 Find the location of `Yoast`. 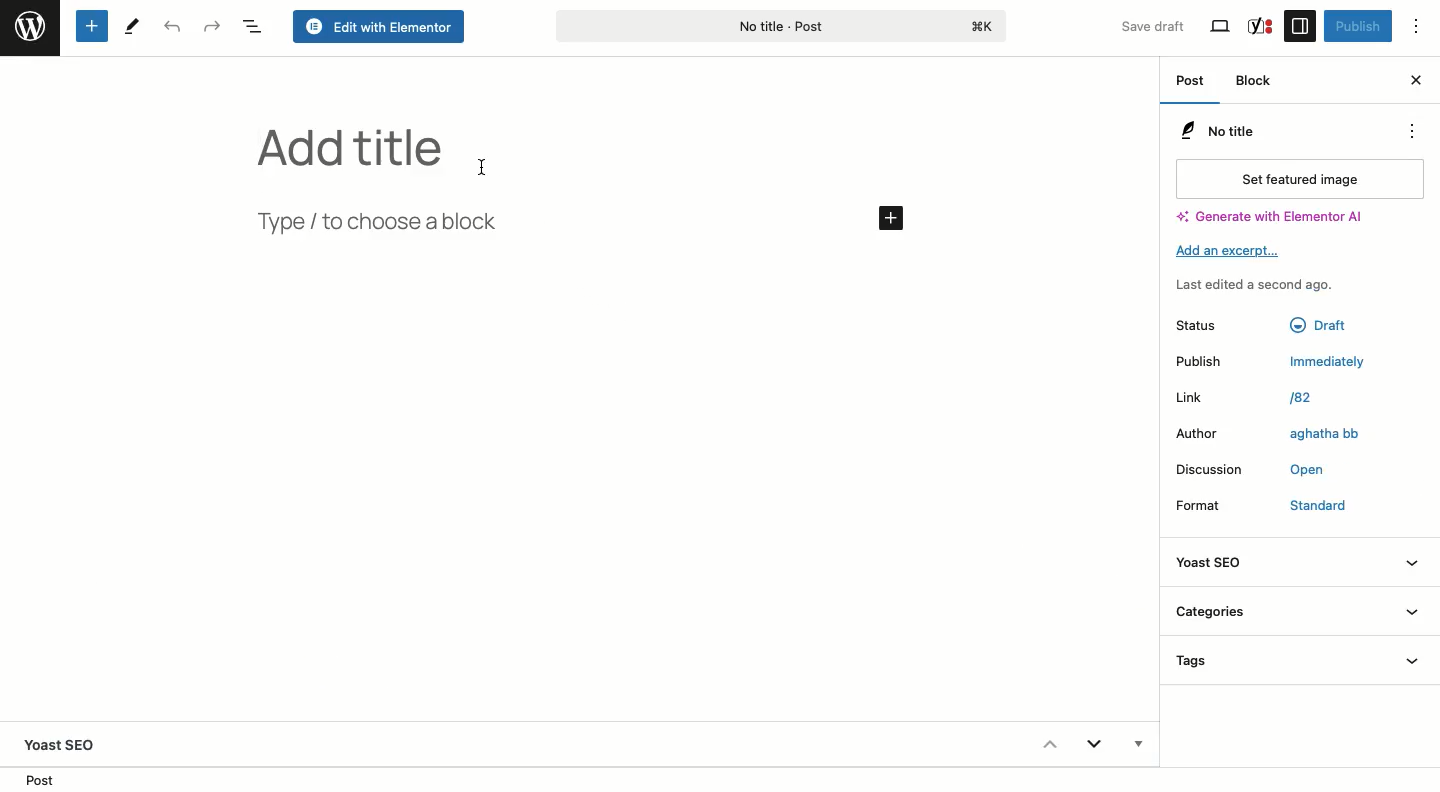

Yoast is located at coordinates (1259, 25).